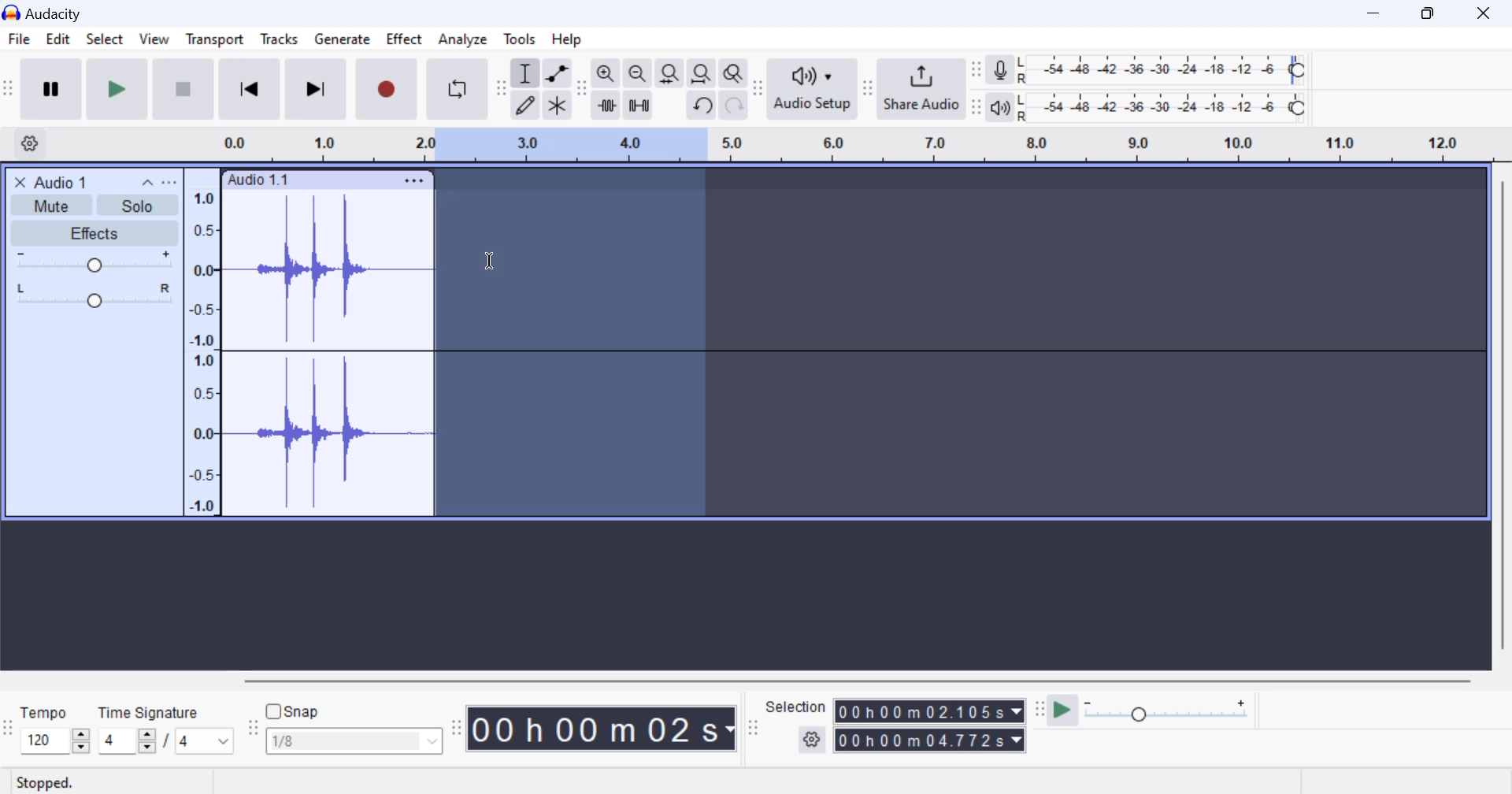  What do you see at coordinates (104, 43) in the screenshot?
I see `Select` at bounding box center [104, 43].